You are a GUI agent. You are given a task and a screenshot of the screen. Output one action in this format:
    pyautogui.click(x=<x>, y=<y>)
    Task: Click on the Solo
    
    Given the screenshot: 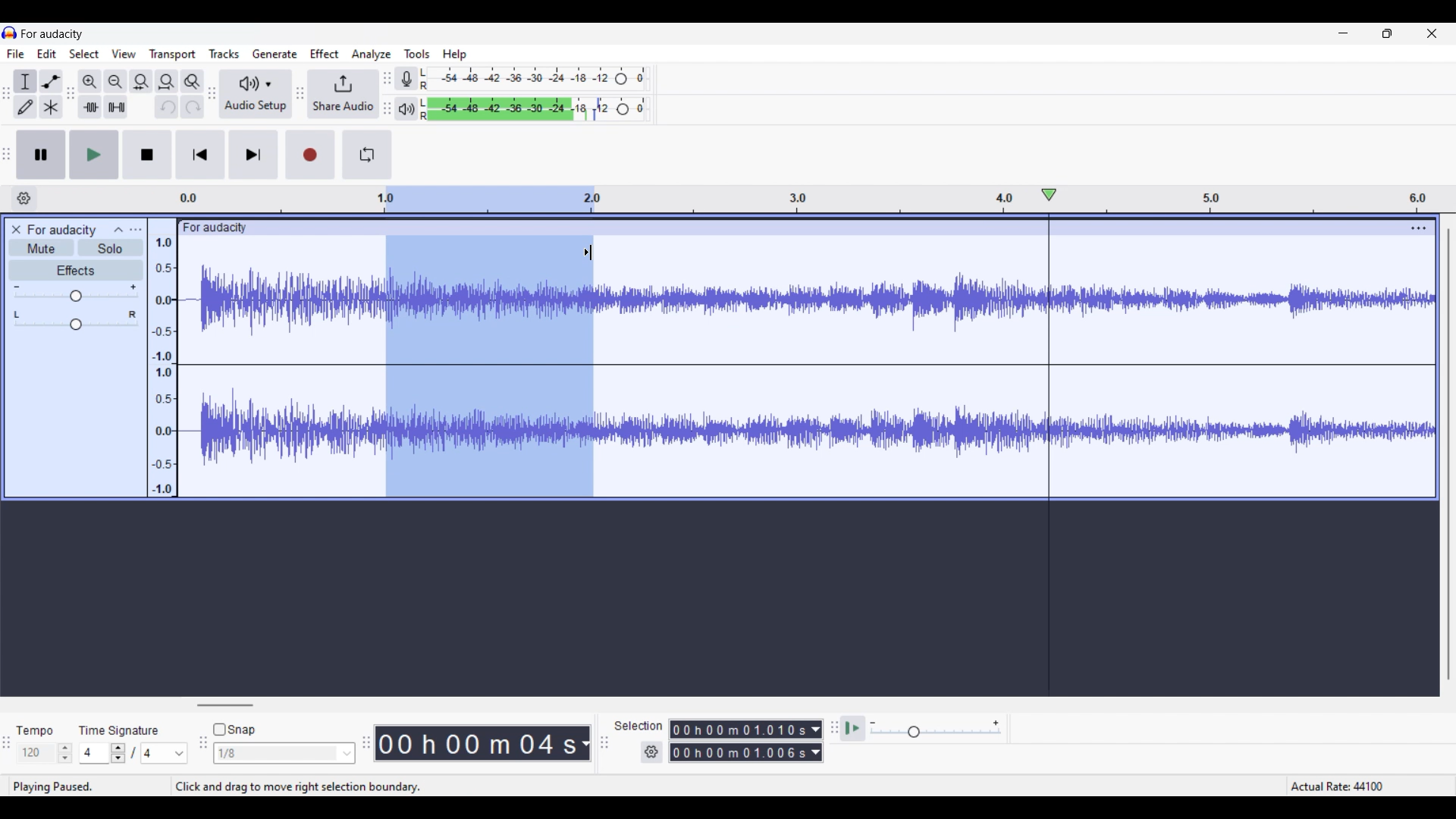 What is the action you would take?
    pyautogui.click(x=112, y=249)
    